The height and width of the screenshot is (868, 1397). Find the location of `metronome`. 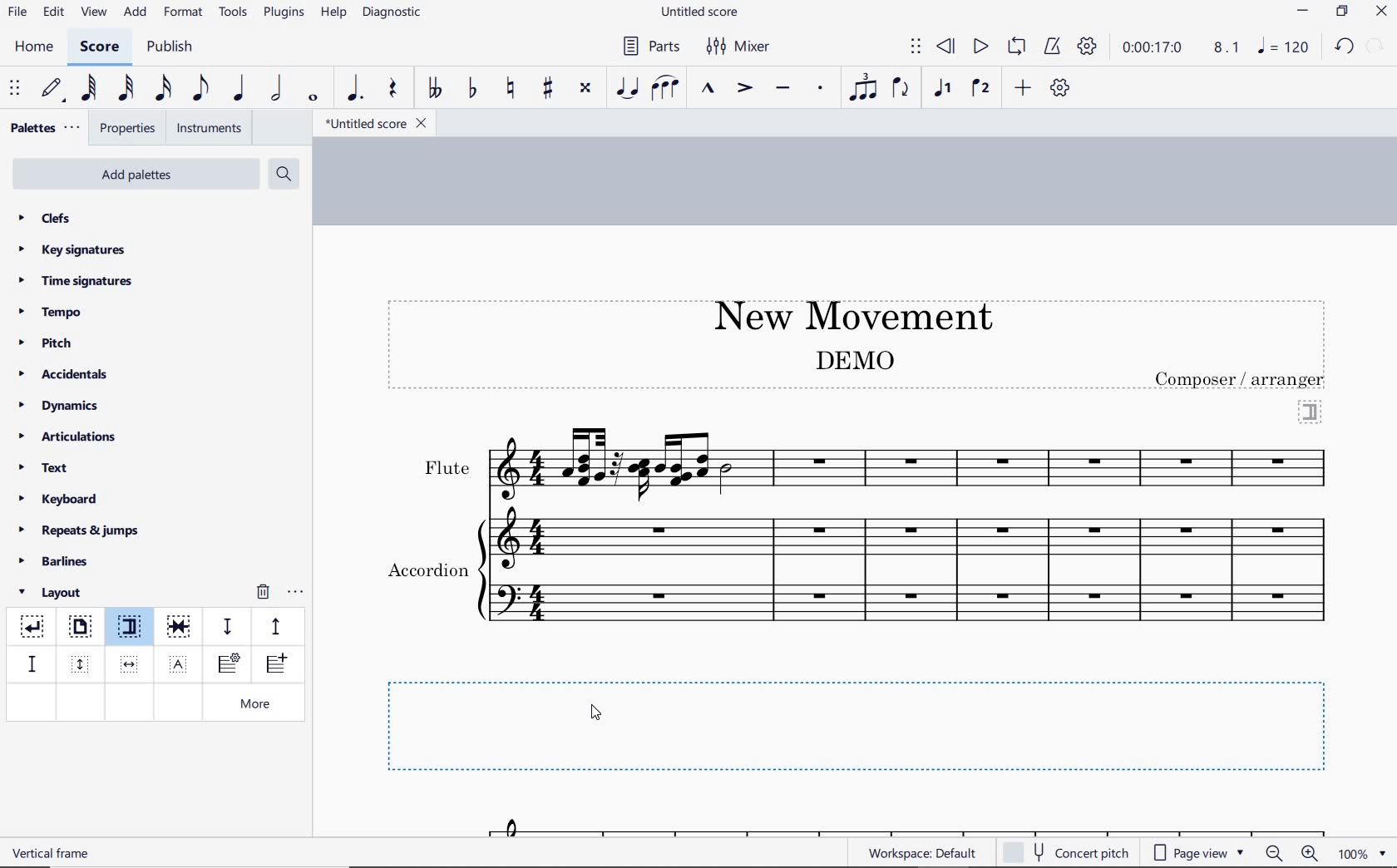

metronome is located at coordinates (1051, 47).